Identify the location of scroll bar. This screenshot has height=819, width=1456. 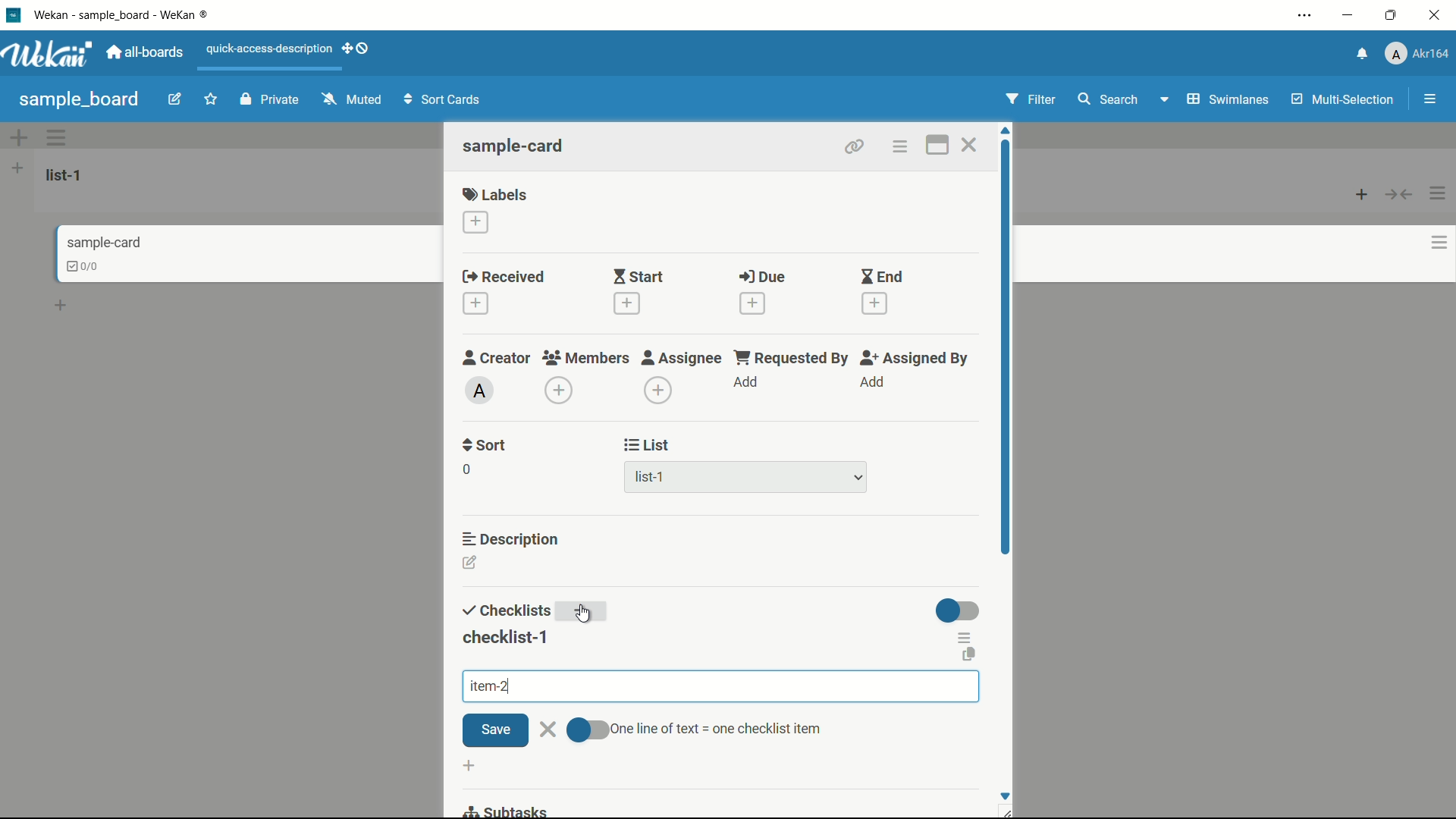
(1007, 378).